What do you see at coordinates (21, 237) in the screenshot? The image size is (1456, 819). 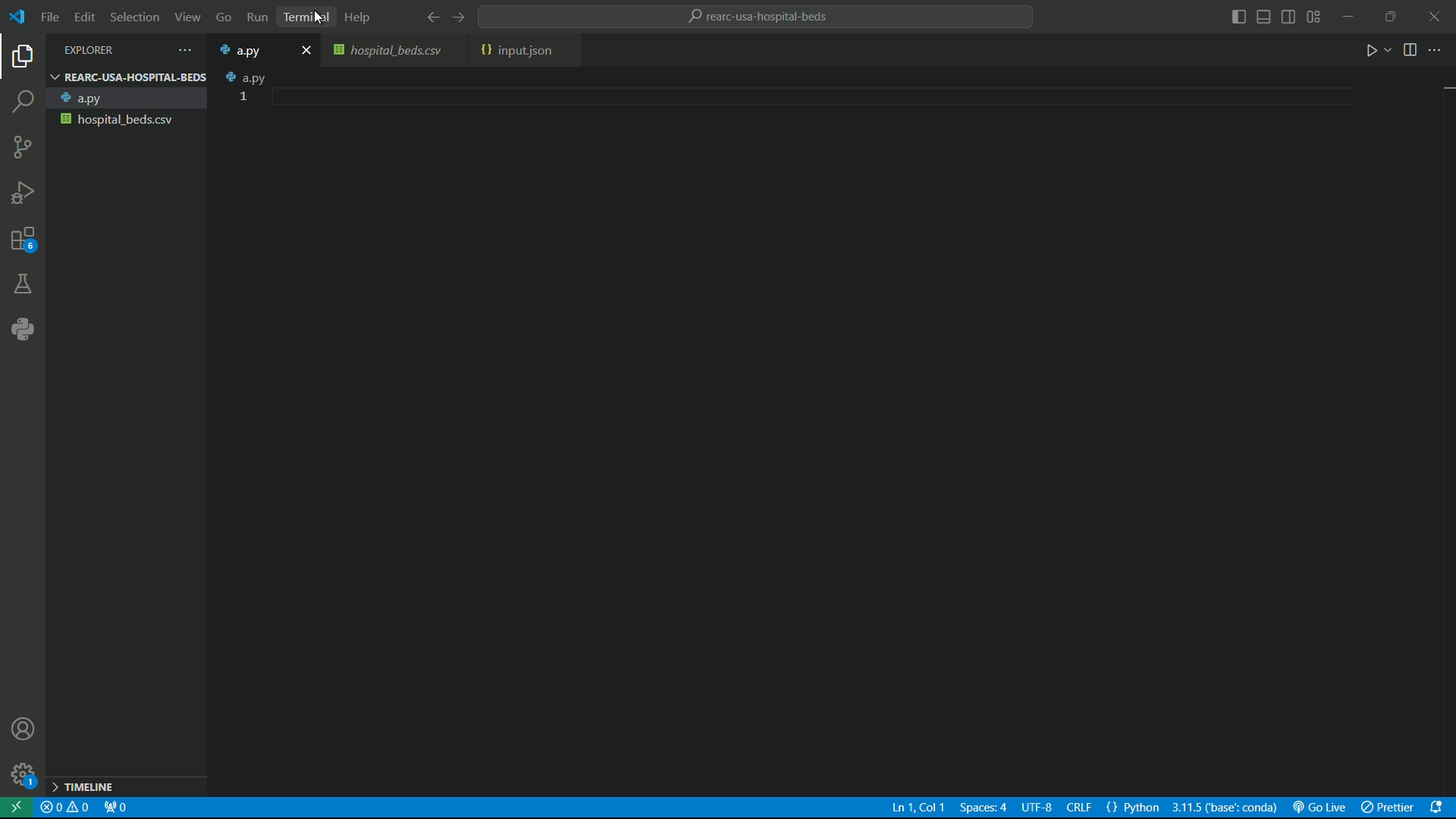 I see `extensions` at bounding box center [21, 237].